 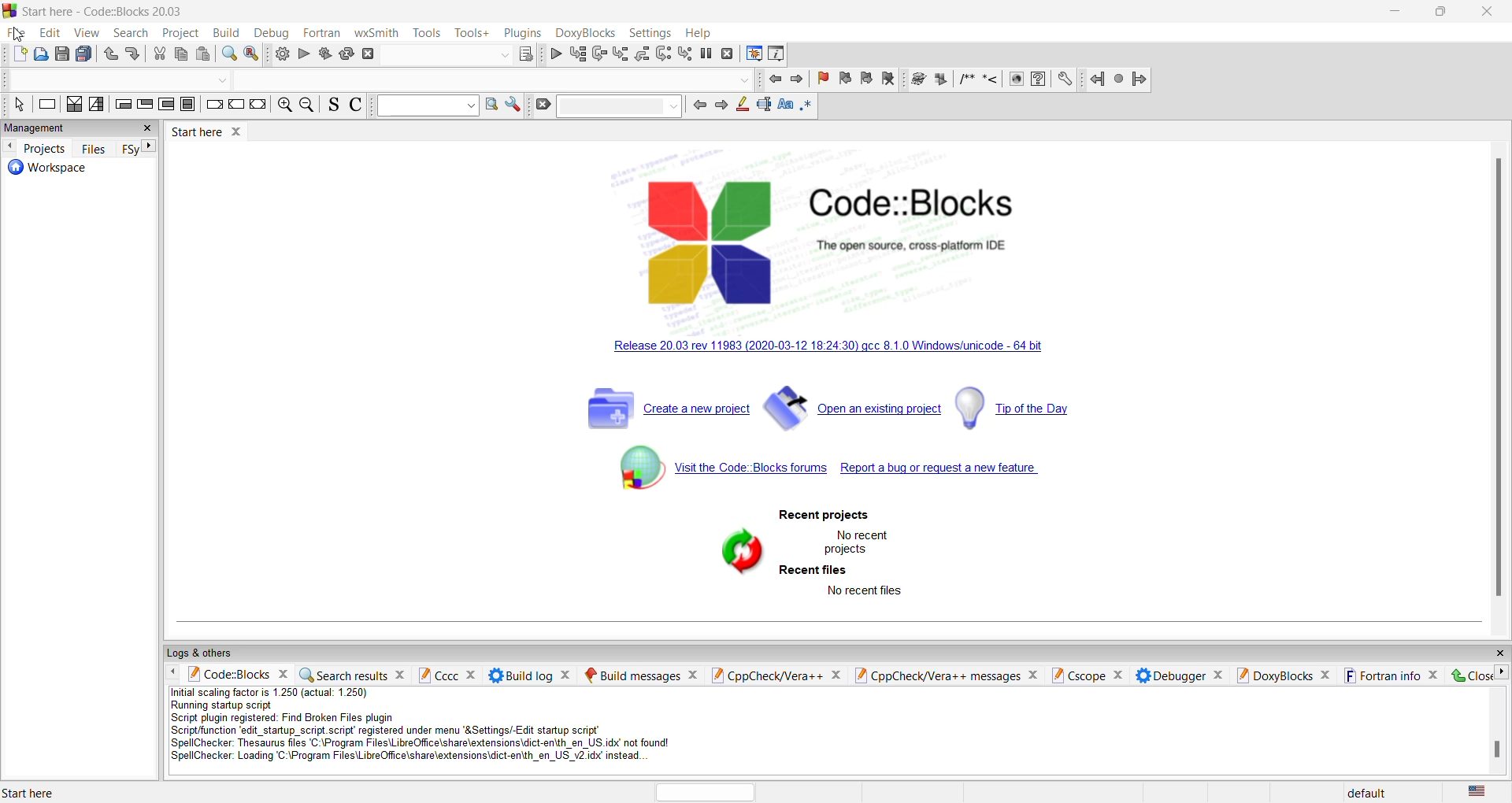 What do you see at coordinates (1434, 675) in the screenshot?
I see `close` at bounding box center [1434, 675].